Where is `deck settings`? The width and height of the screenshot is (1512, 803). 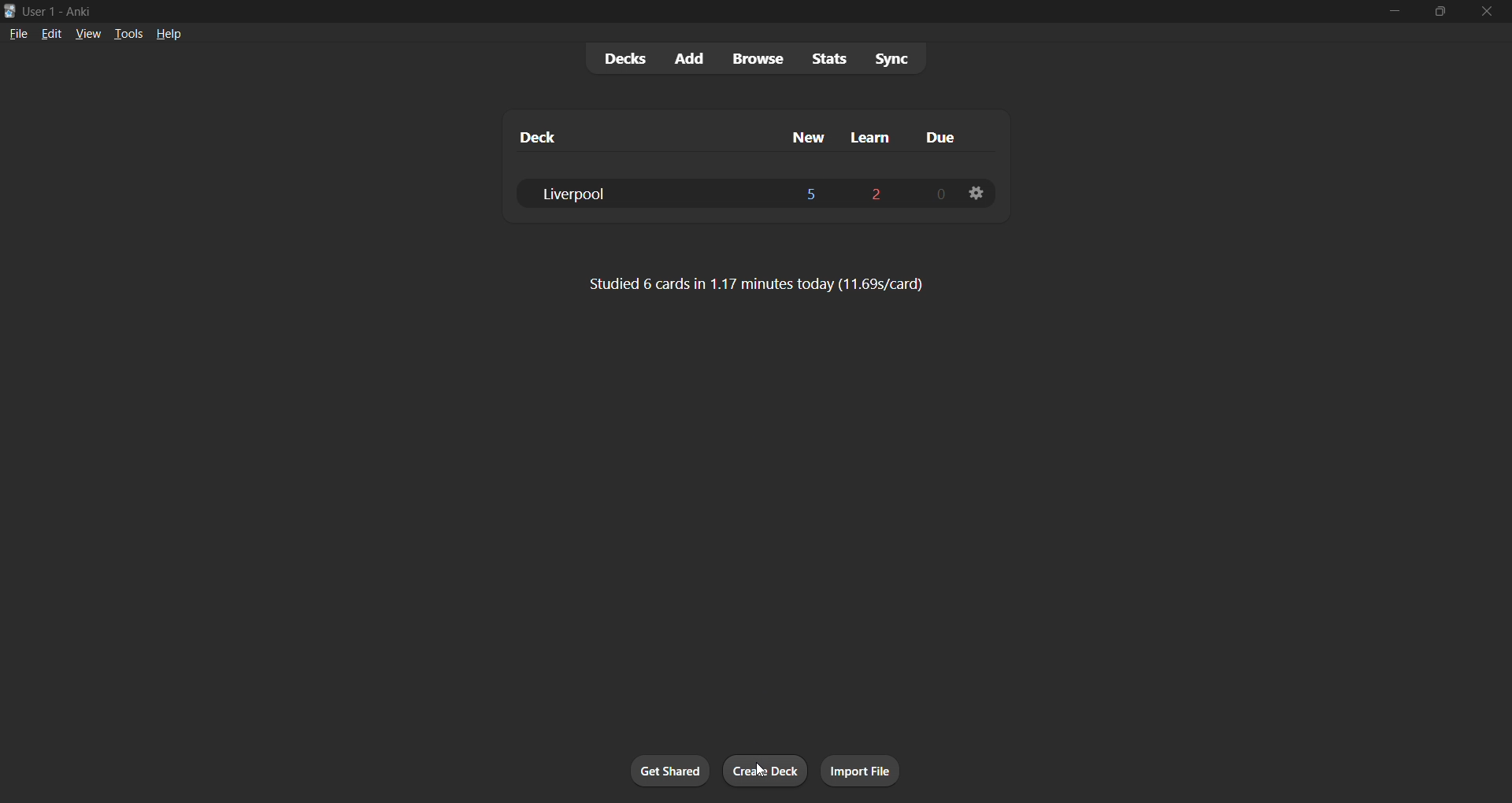
deck settings is located at coordinates (983, 194).